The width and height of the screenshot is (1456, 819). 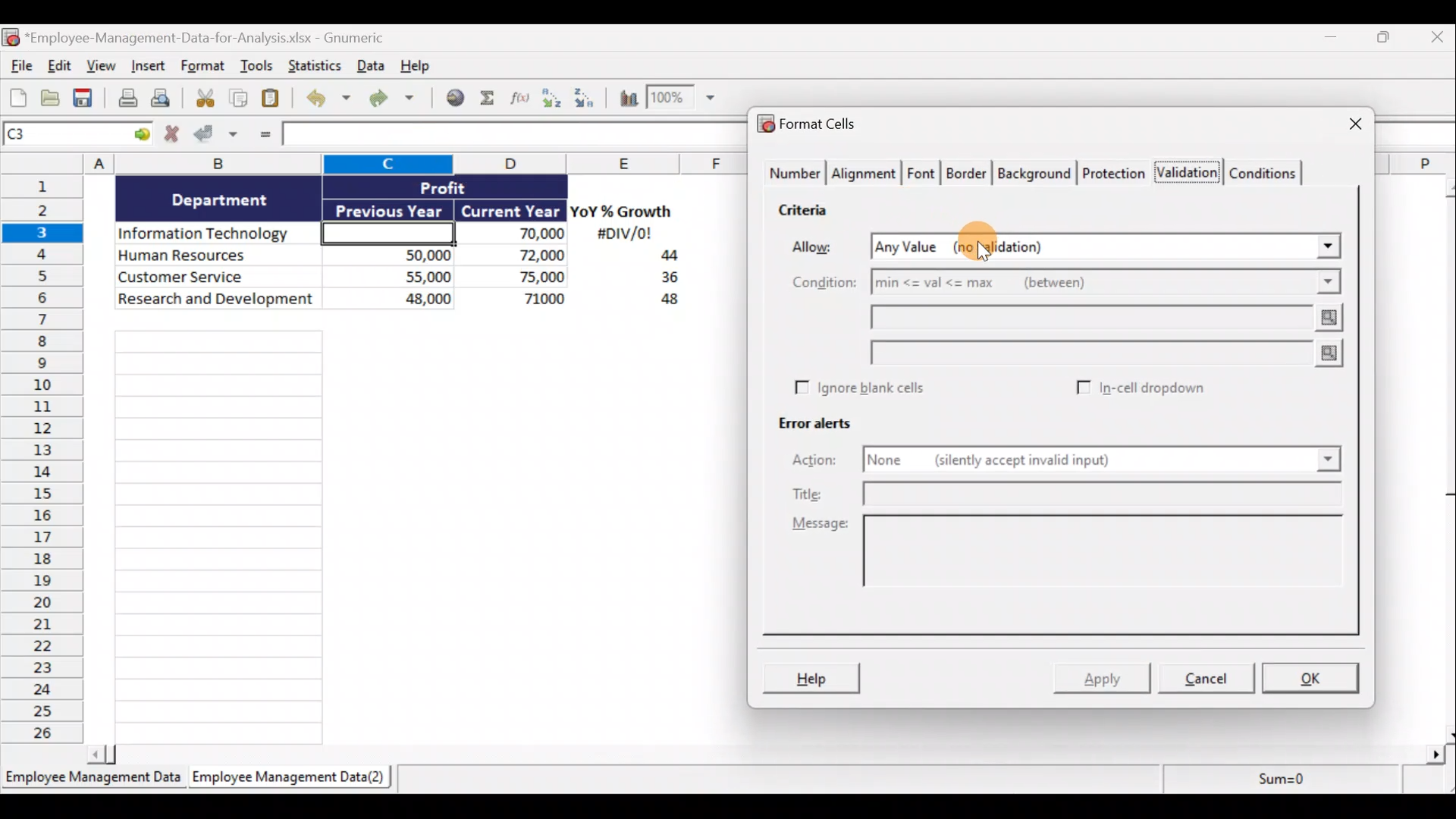 What do you see at coordinates (217, 300) in the screenshot?
I see `Research and development` at bounding box center [217, 300].